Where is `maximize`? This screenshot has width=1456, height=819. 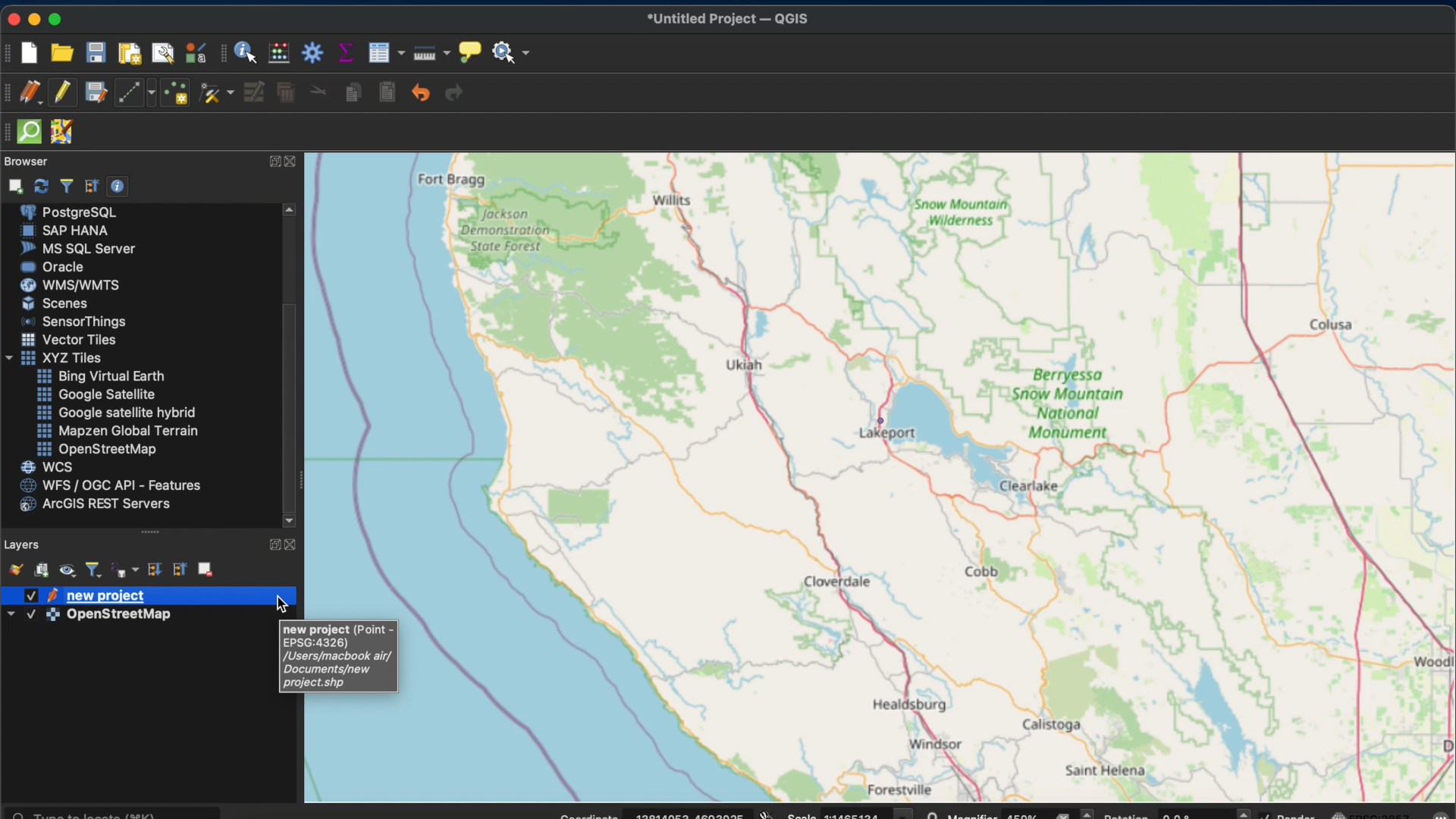 maximize is located at coordinates (58, 18).